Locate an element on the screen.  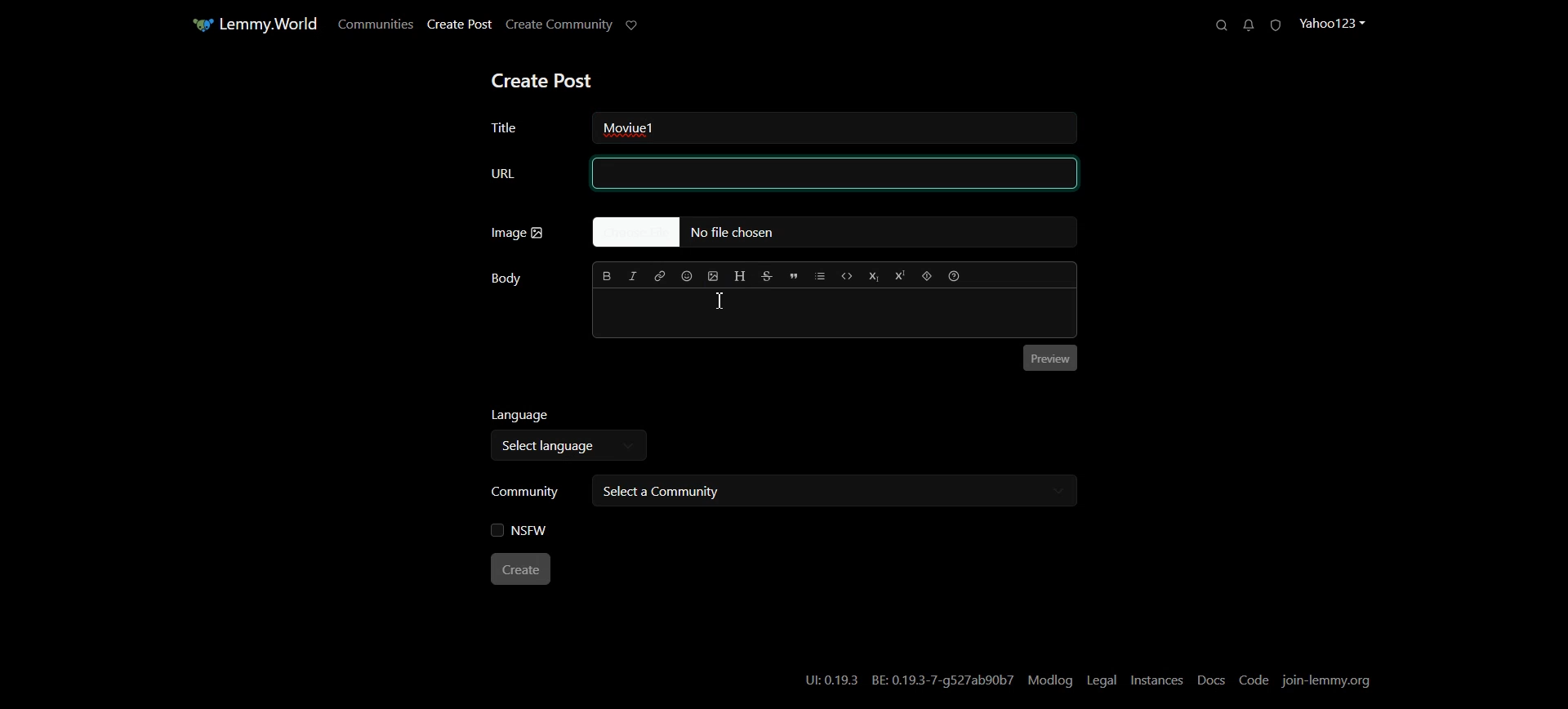
Quote is located at coordinates (794, 277).